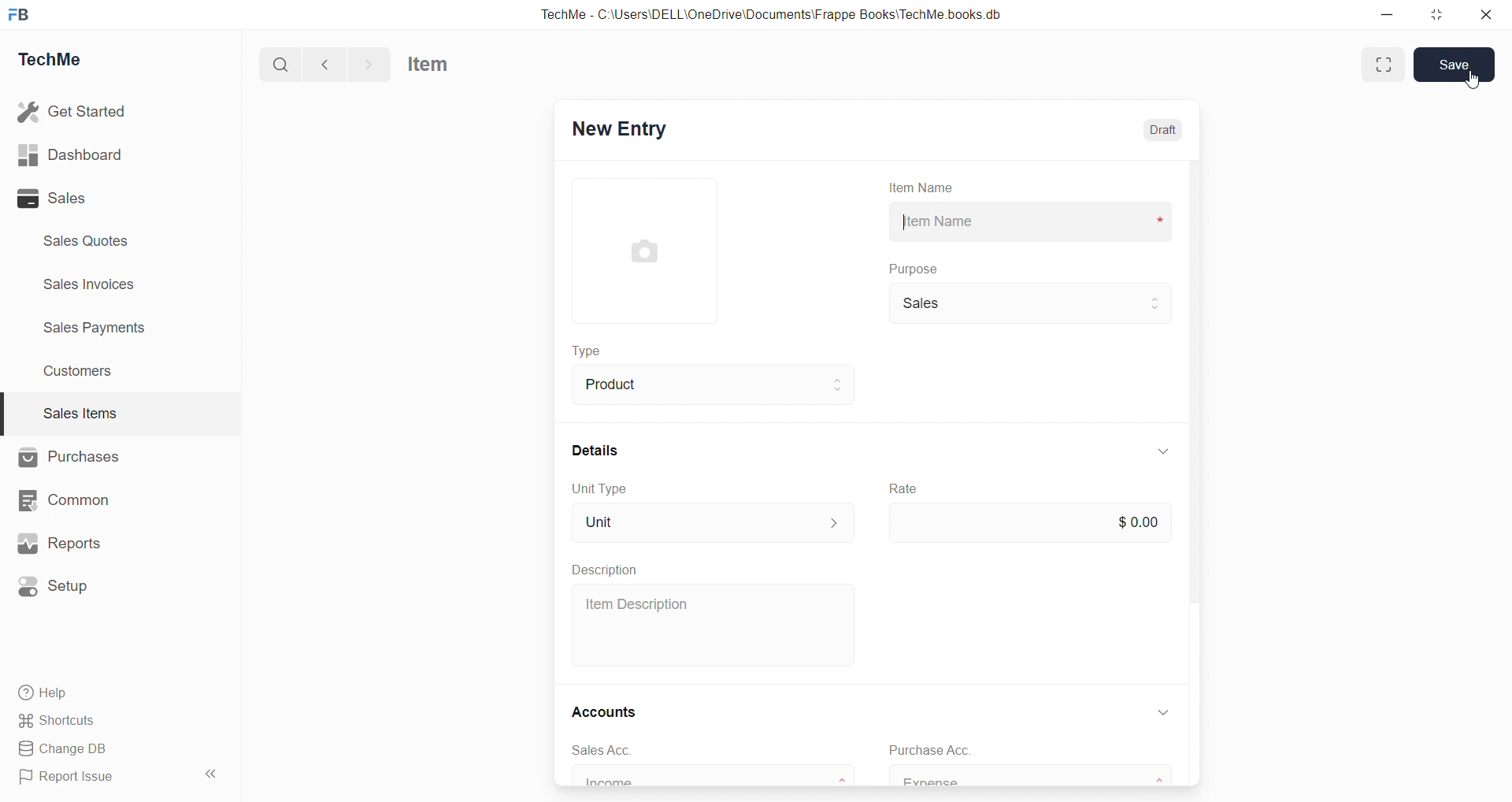  Describe the element at coordinates (911, 268) in the screenshot. I see `Purpose` at that location.